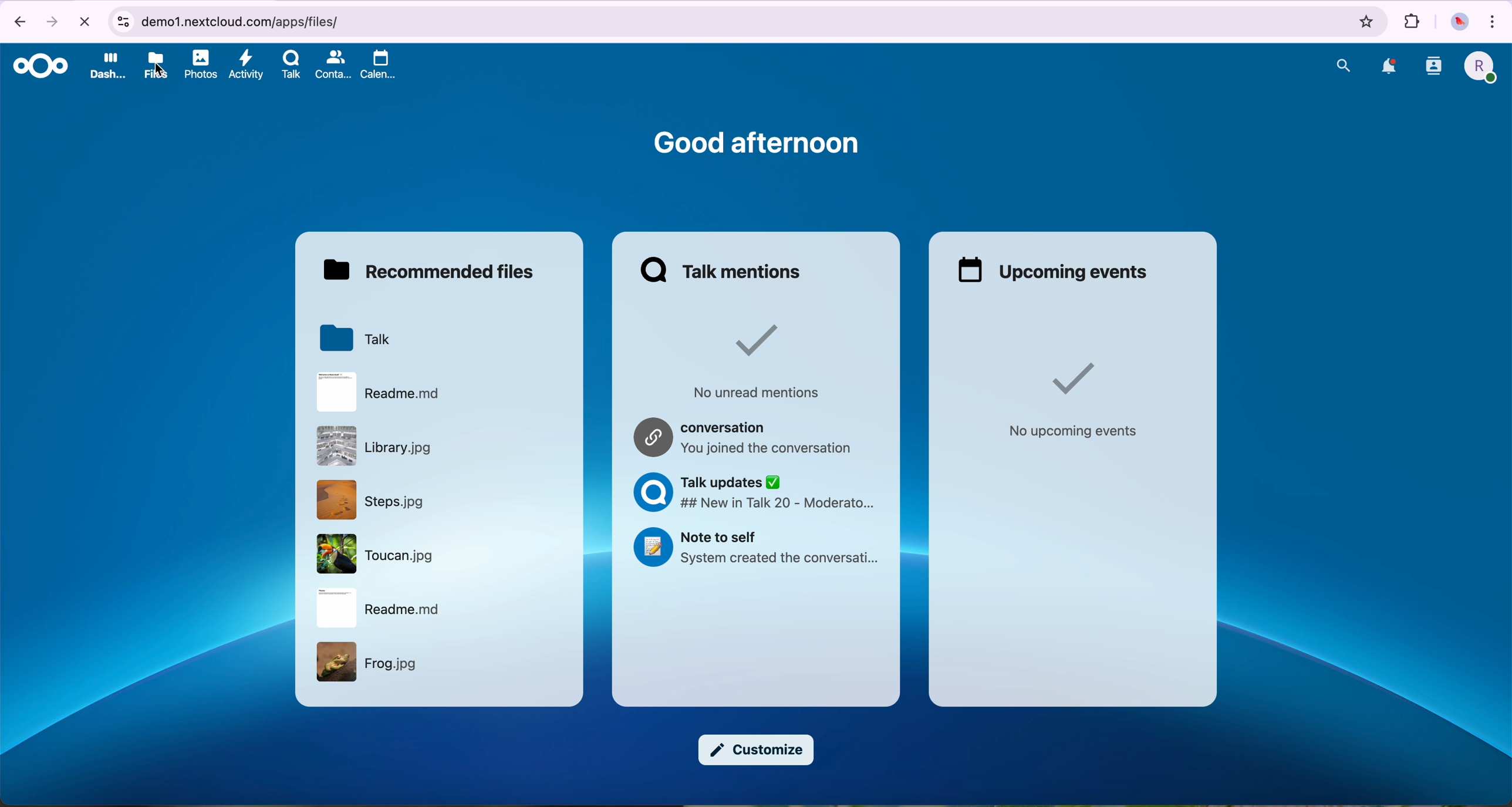  I want to click on no upcoming events, so click(1074, 431).